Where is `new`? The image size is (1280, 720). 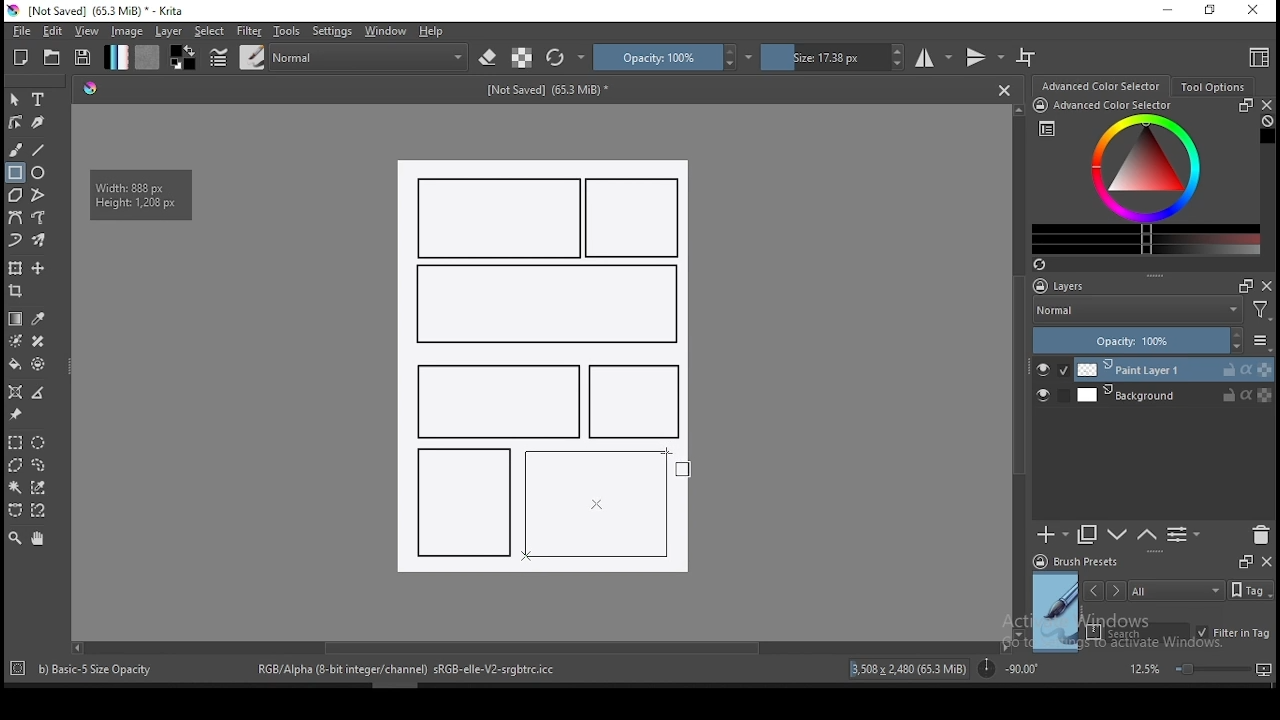 new is located at coordinates (21, 57).